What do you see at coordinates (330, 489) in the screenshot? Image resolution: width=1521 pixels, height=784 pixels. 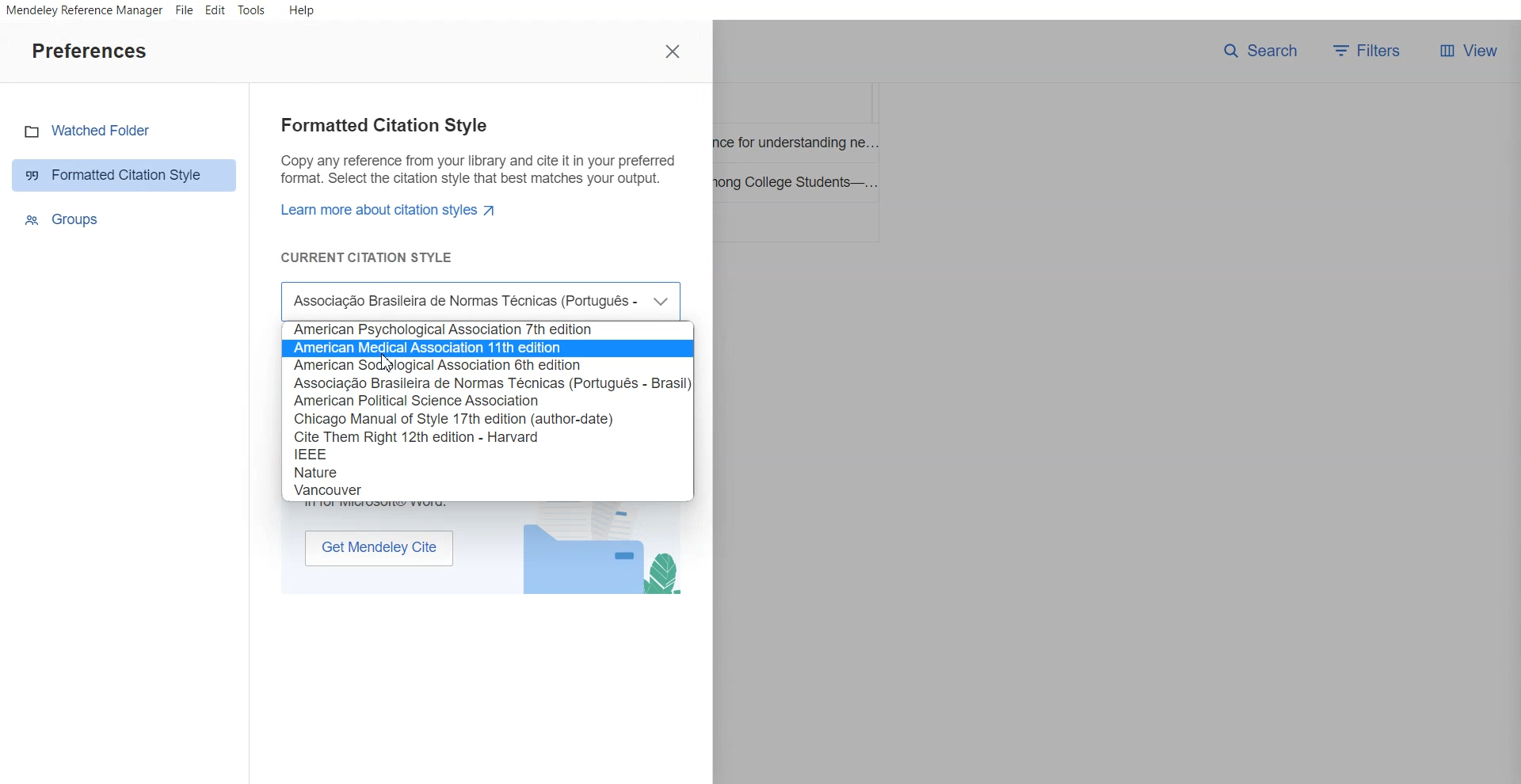 I see `Citation` at bounding box center [330, 489].